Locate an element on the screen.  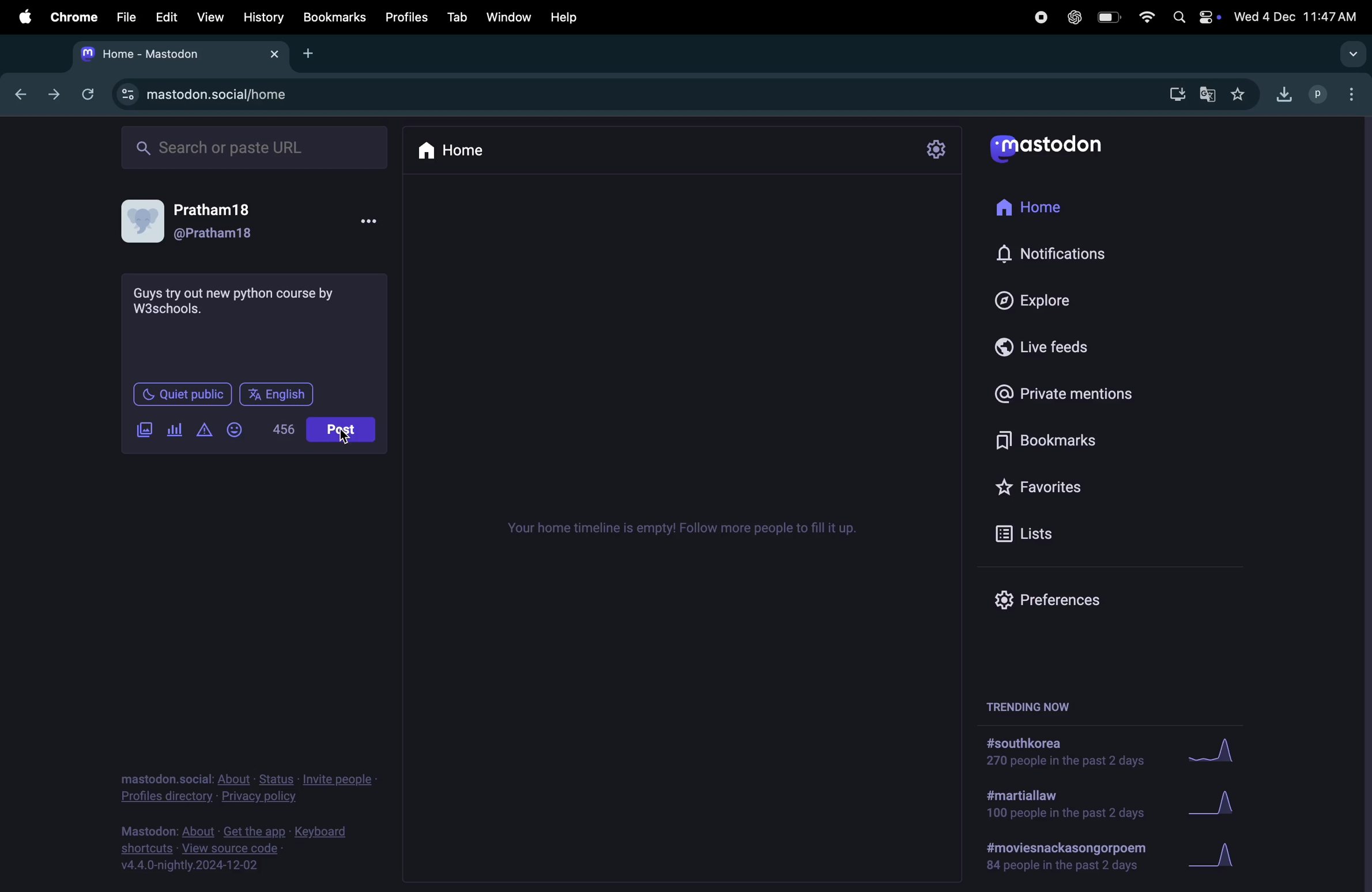
quiet public is located at coordinates (181, 394).